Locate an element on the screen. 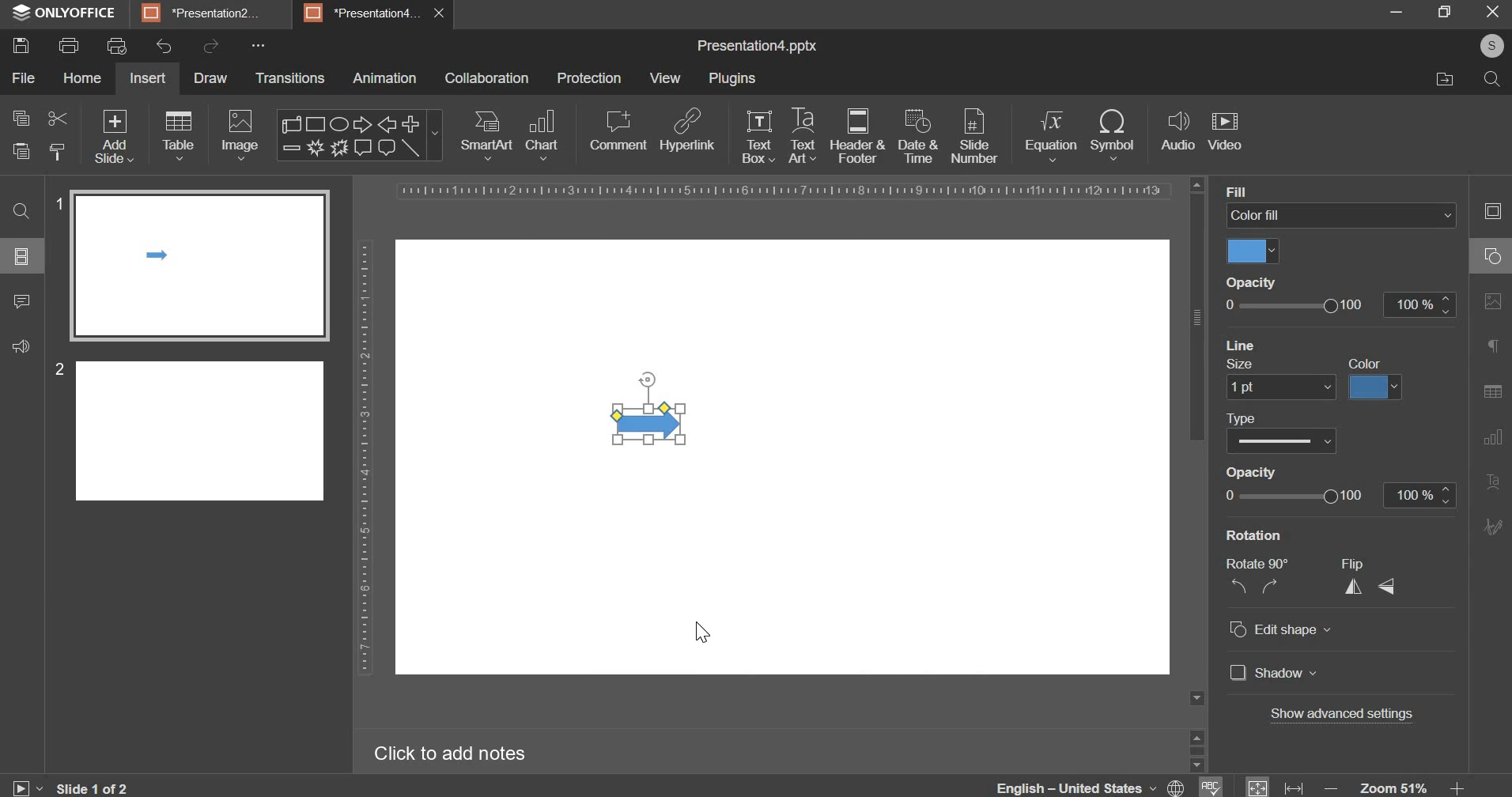 The image size is (1512, 797). fit is located at coordinates (1273, 784).